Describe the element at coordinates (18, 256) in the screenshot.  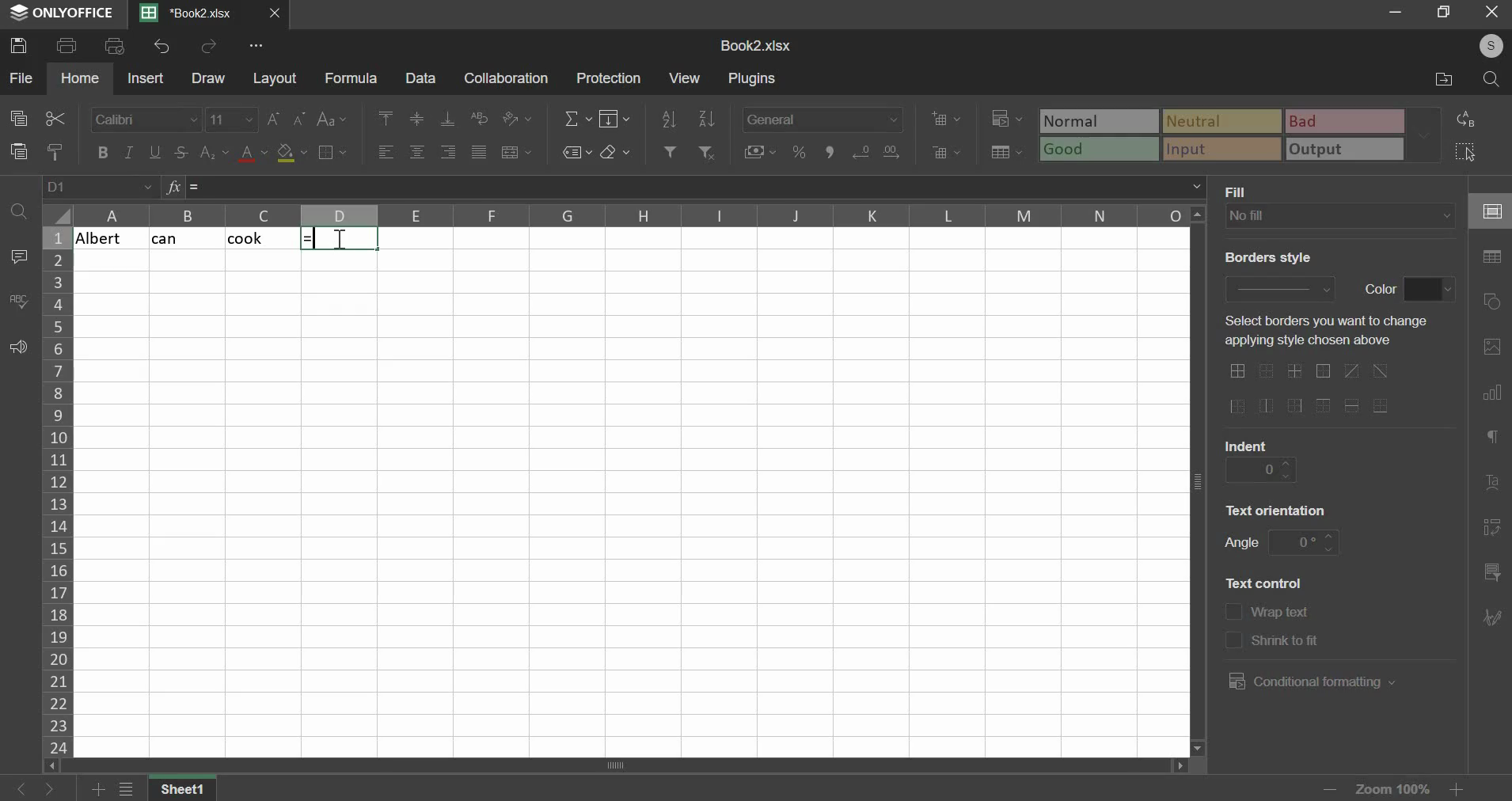
I see `comment` at that location.